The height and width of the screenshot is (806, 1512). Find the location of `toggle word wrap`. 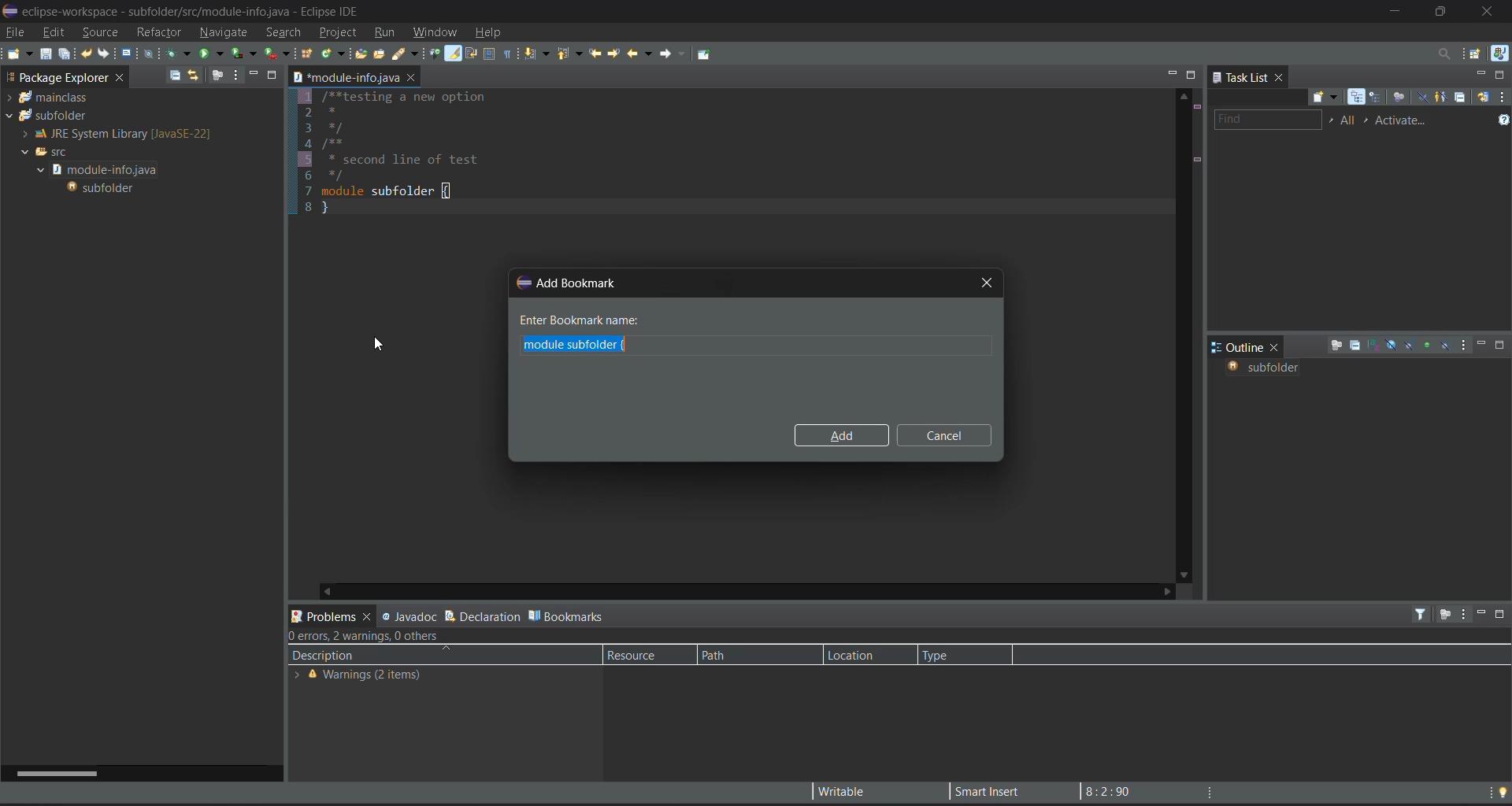

toggle word wrap is located at coordinates (472, 53).